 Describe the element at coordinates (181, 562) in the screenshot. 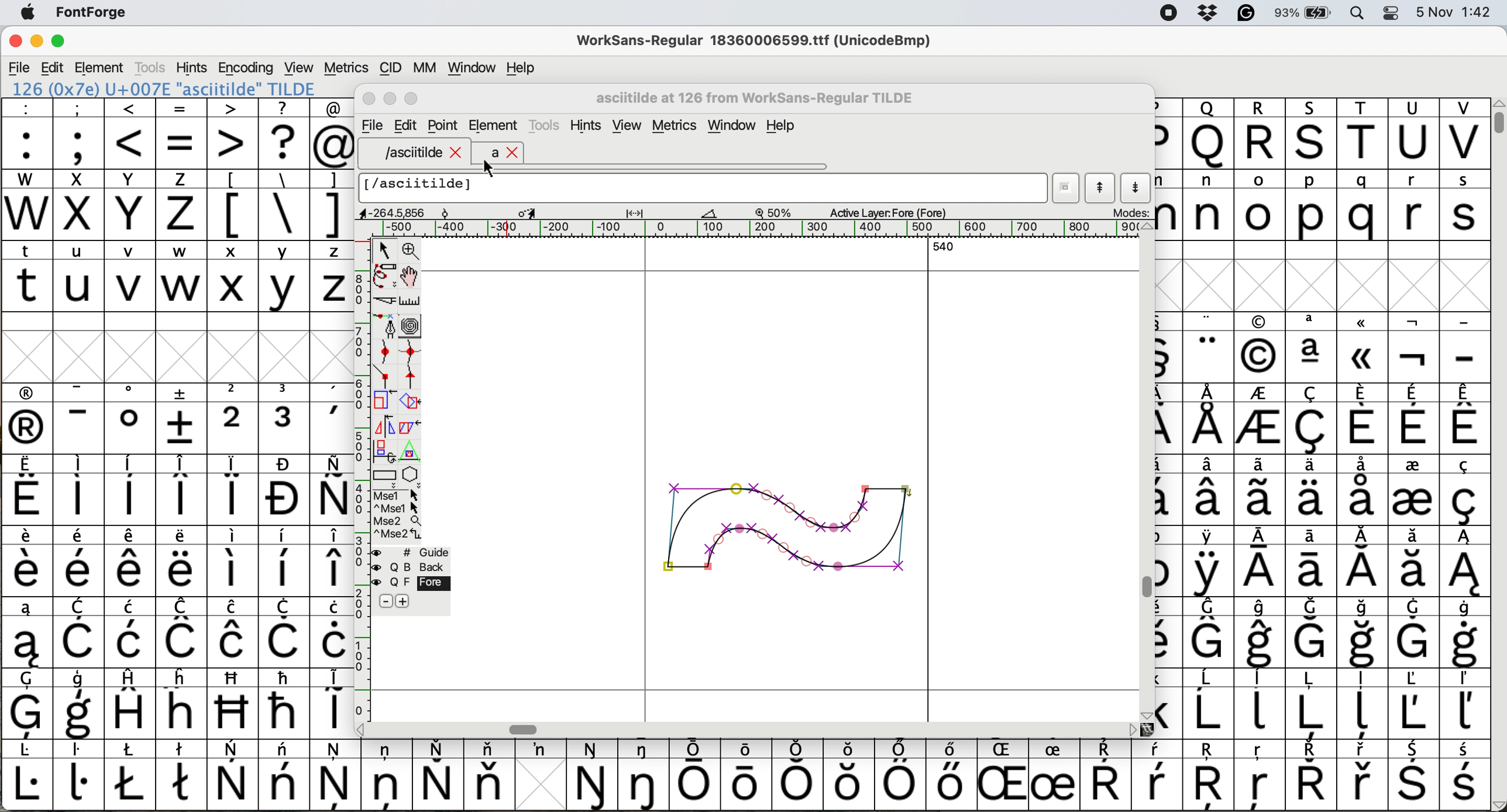

I see `symbol` at that location.